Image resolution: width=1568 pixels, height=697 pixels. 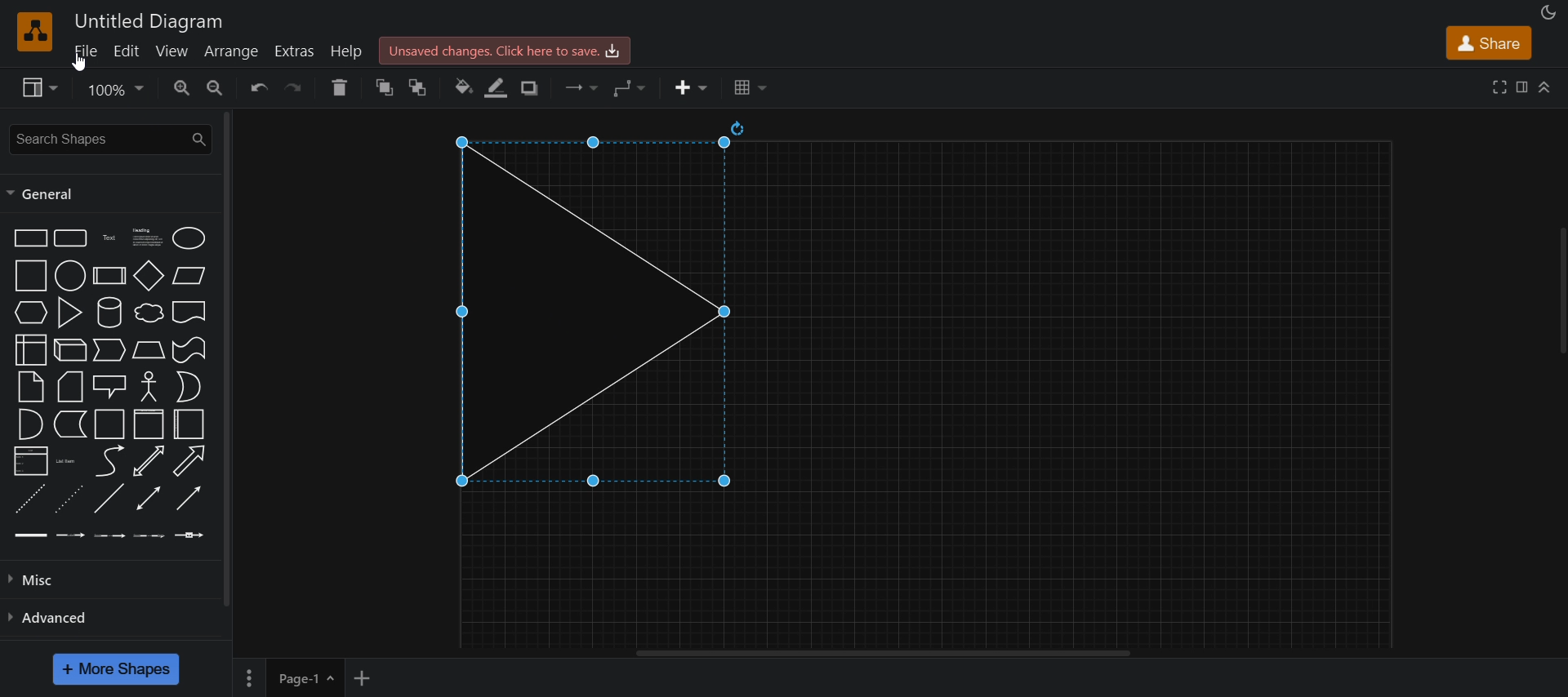 I want to click on to back, so click(x=420, y=87).